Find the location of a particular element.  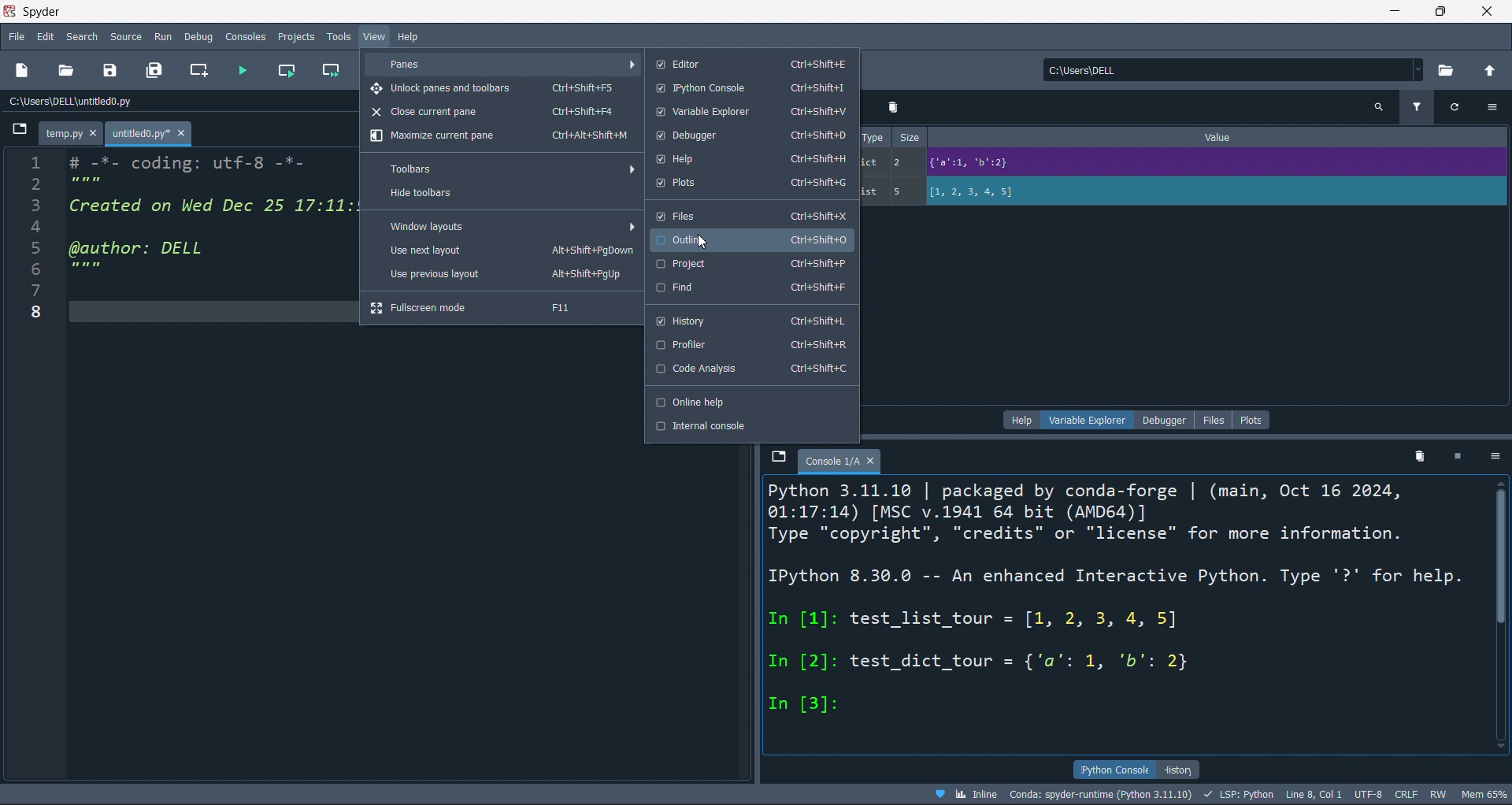

window layout is located at coordinates (502, 225).